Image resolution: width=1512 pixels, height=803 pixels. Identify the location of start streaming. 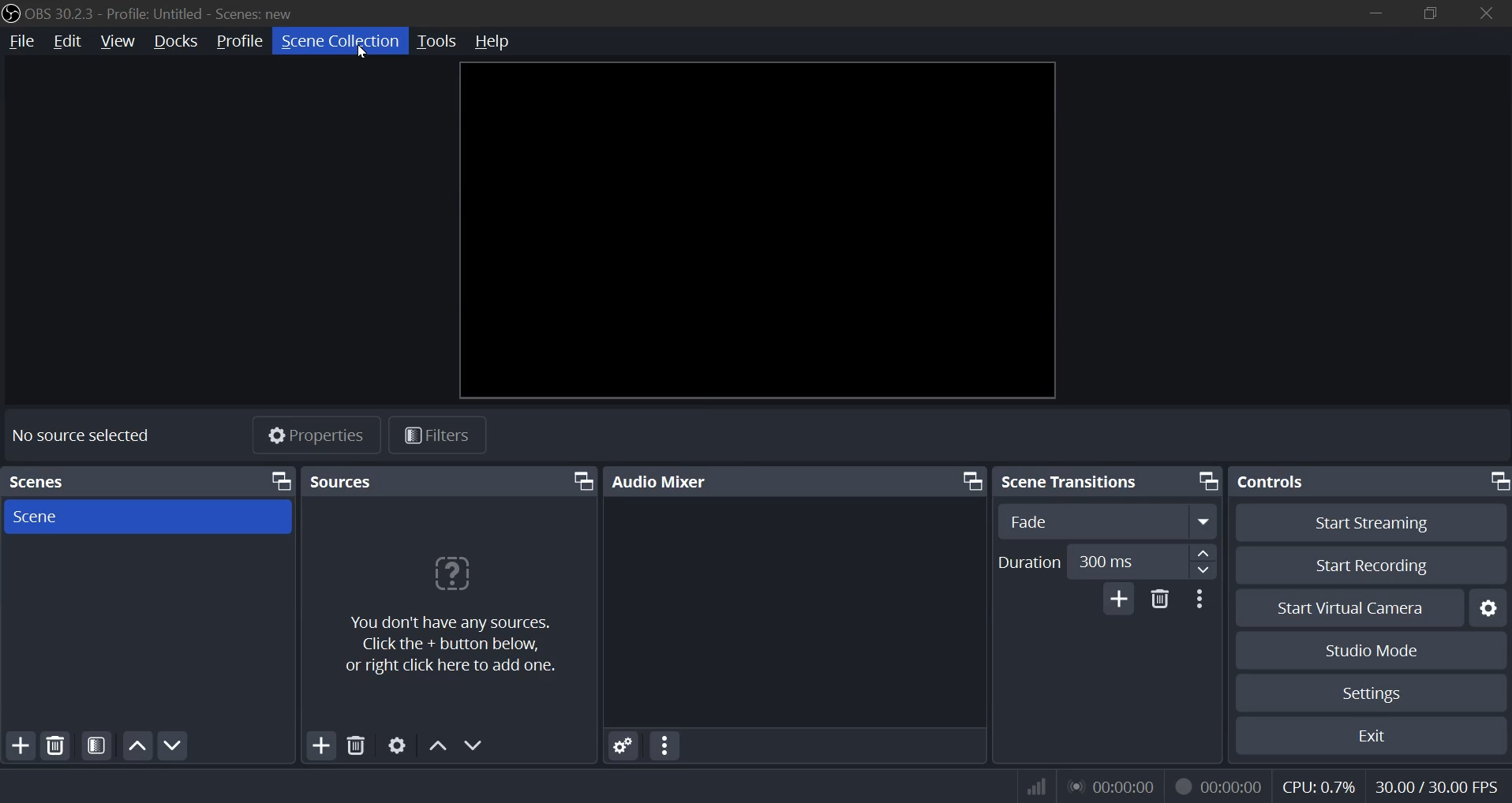
(1371, 523).